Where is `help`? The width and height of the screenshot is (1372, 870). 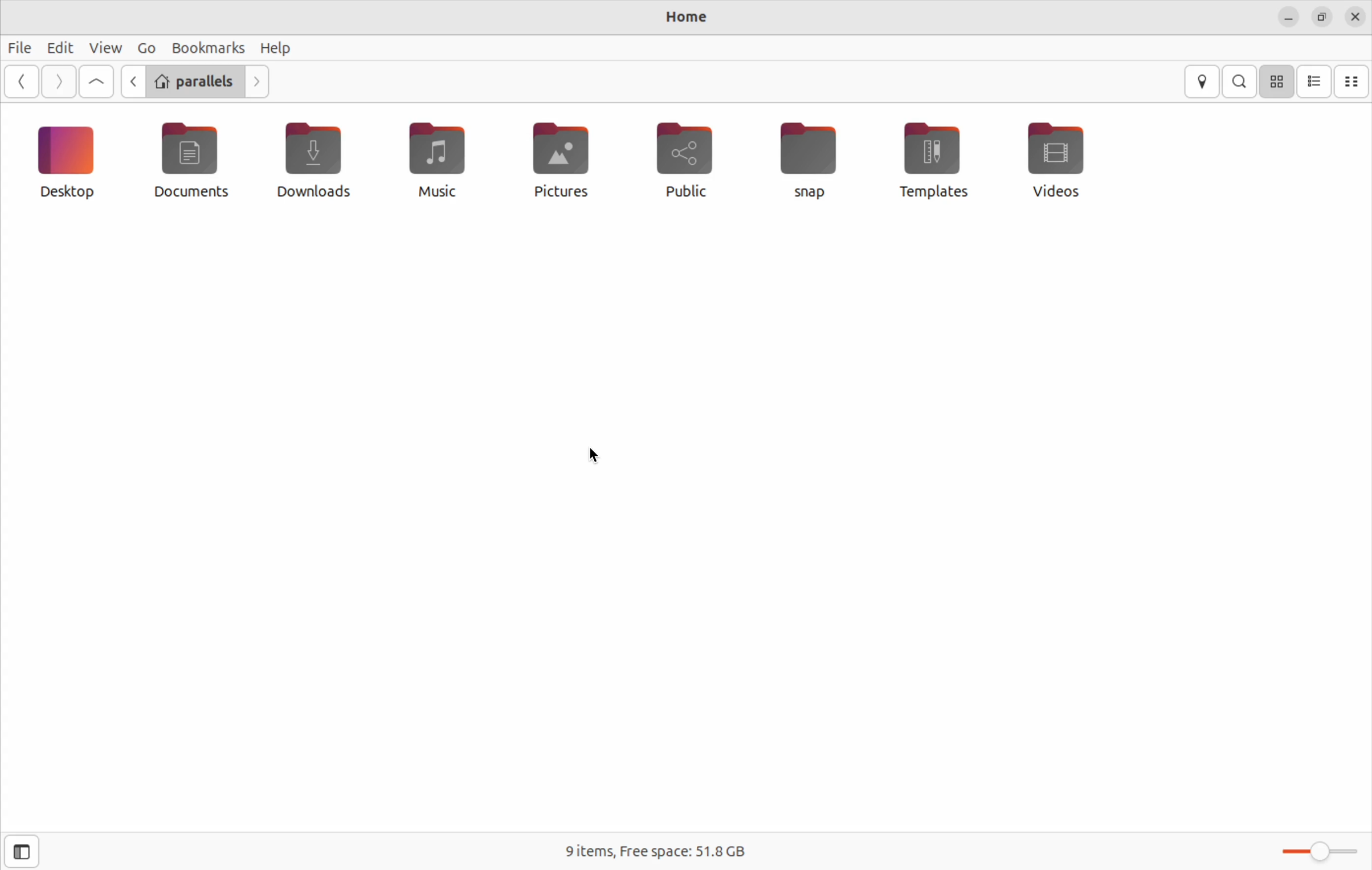 help is located at coordinates (276, 47).